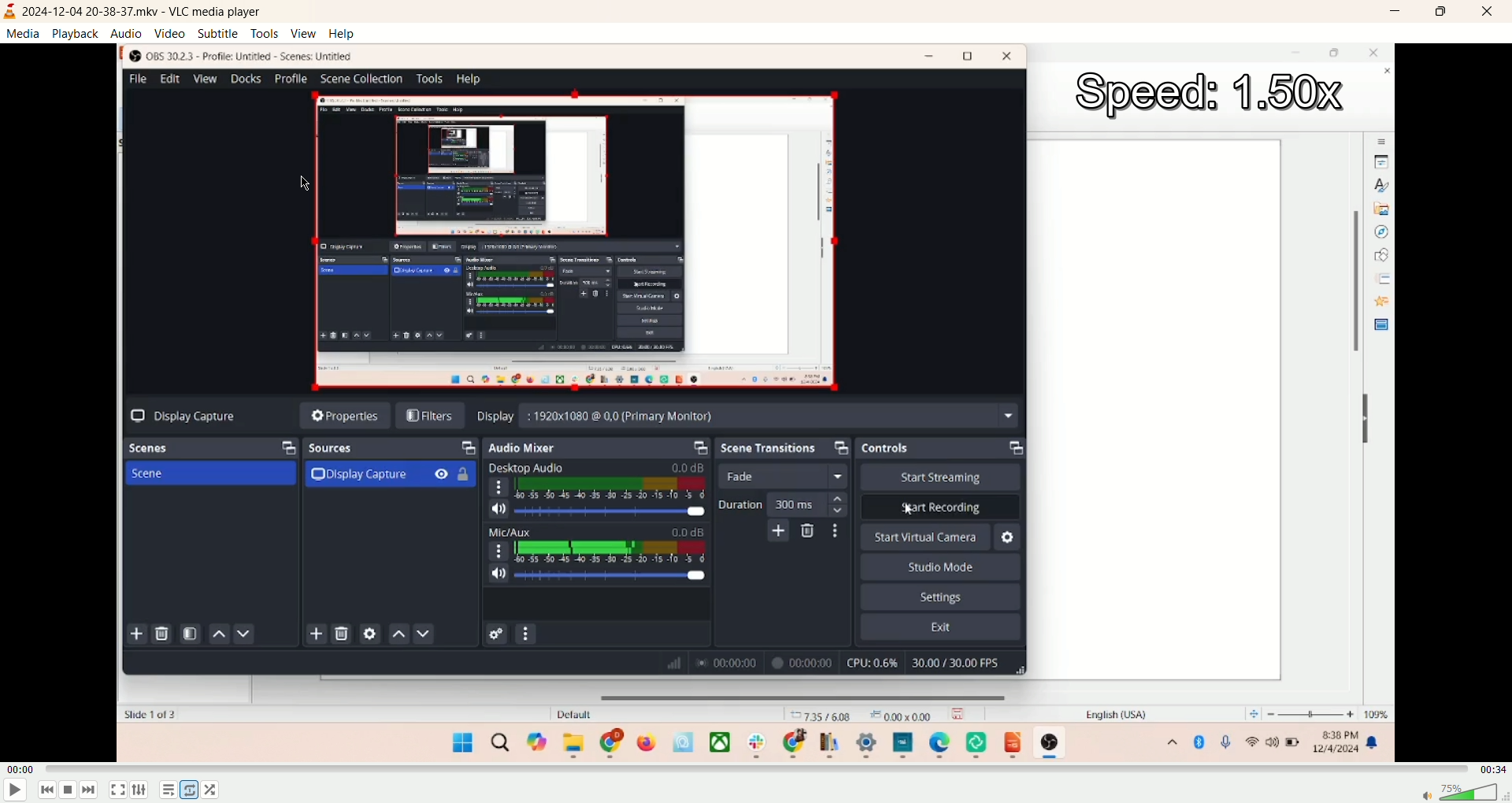 This screenshot has height=803, width=1512. Describe the element at coordinates (151, 11) in the screenshot. I see `2024-12-04 20-38-37.mkv - VLC media player` at that location.